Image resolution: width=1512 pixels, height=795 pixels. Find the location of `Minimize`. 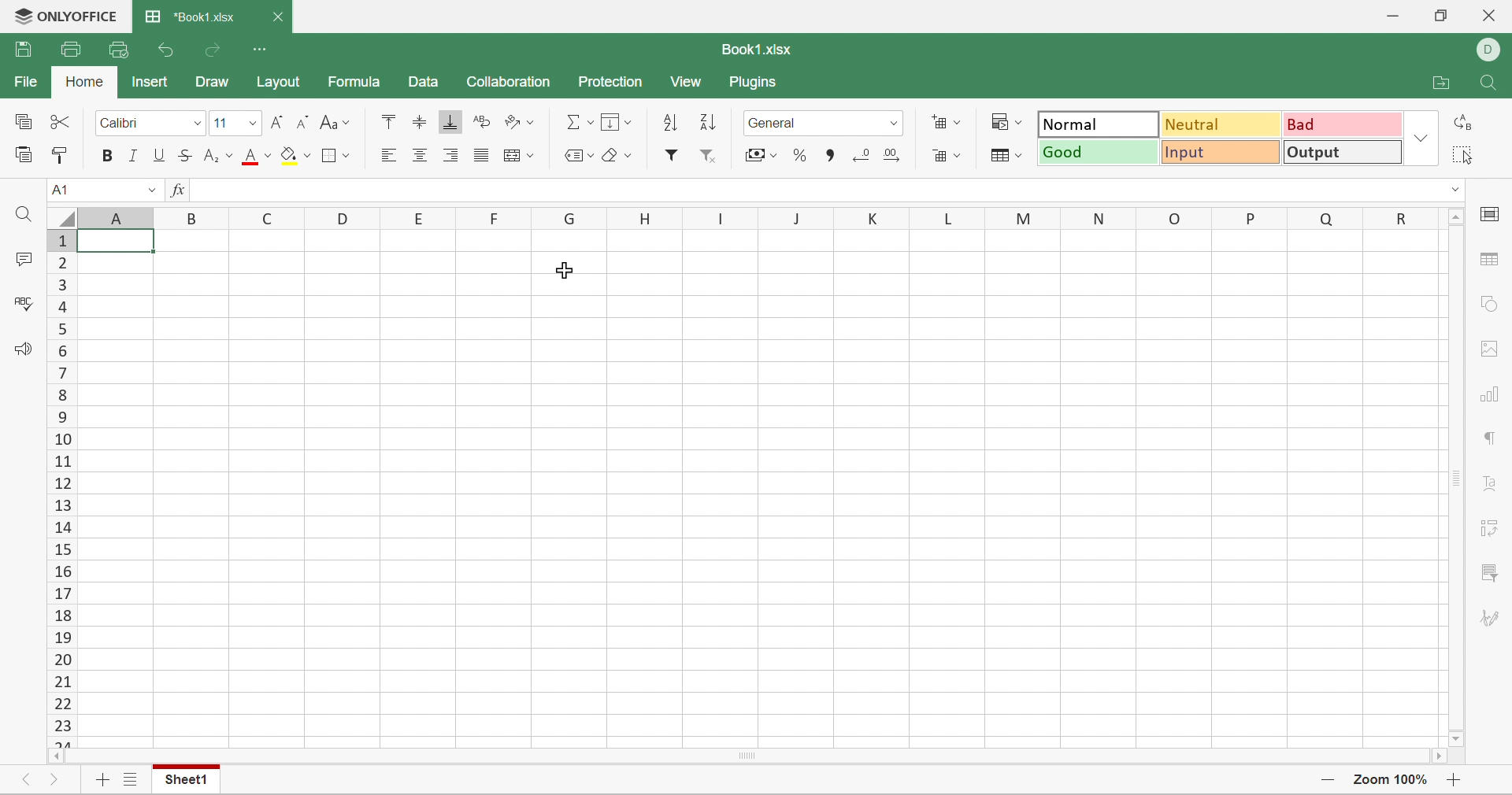

Minimize is located at coordinates (1392, 16).